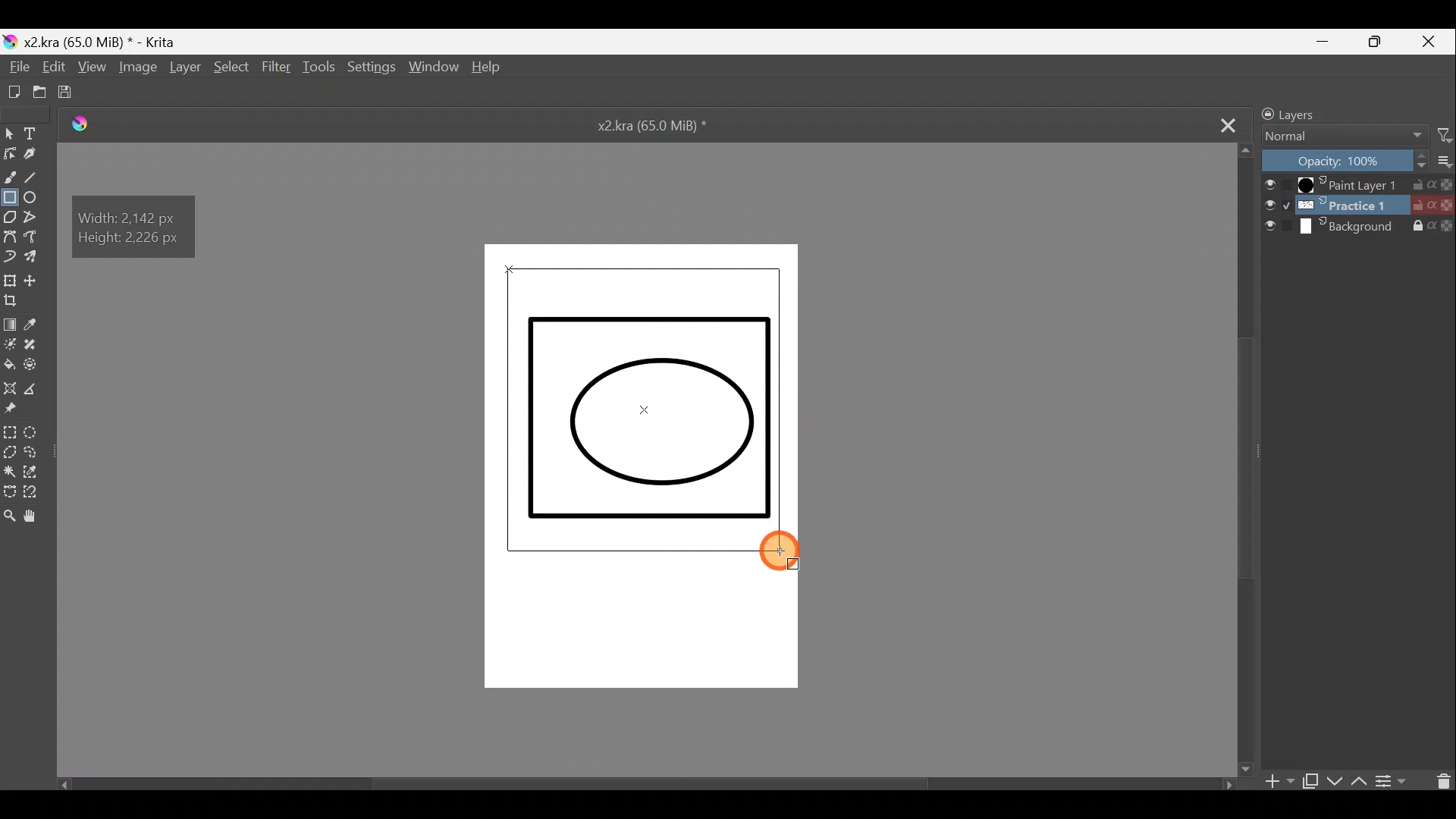 The image size is (1456, 819). I want to click on Dynamic brush tool, so click(10, 257).